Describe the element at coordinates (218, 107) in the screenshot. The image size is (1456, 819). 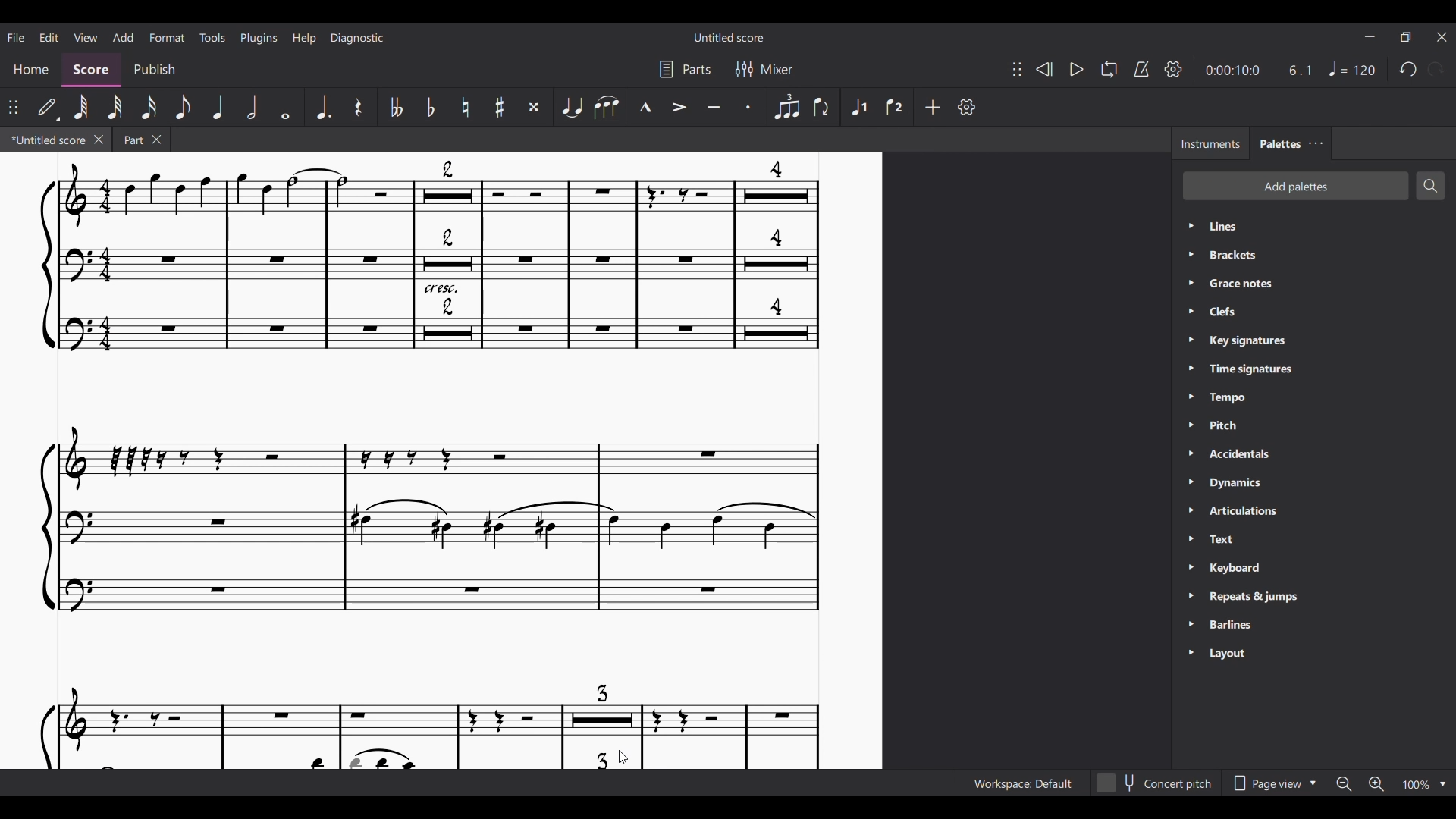
I see `Quarter note` at that location.